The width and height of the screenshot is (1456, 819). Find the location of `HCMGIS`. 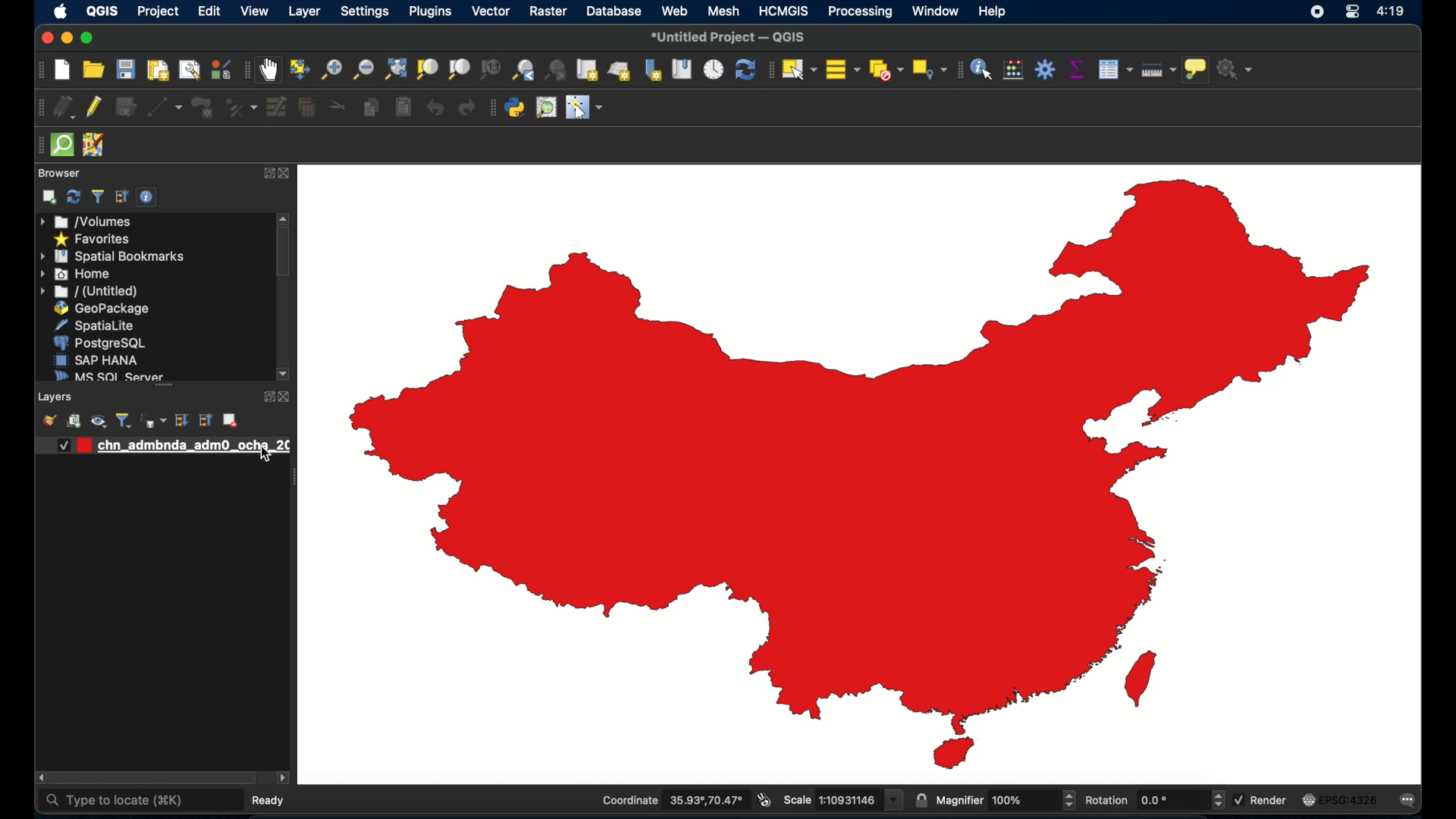

HCMGIS is located at coordinates (783, 11).